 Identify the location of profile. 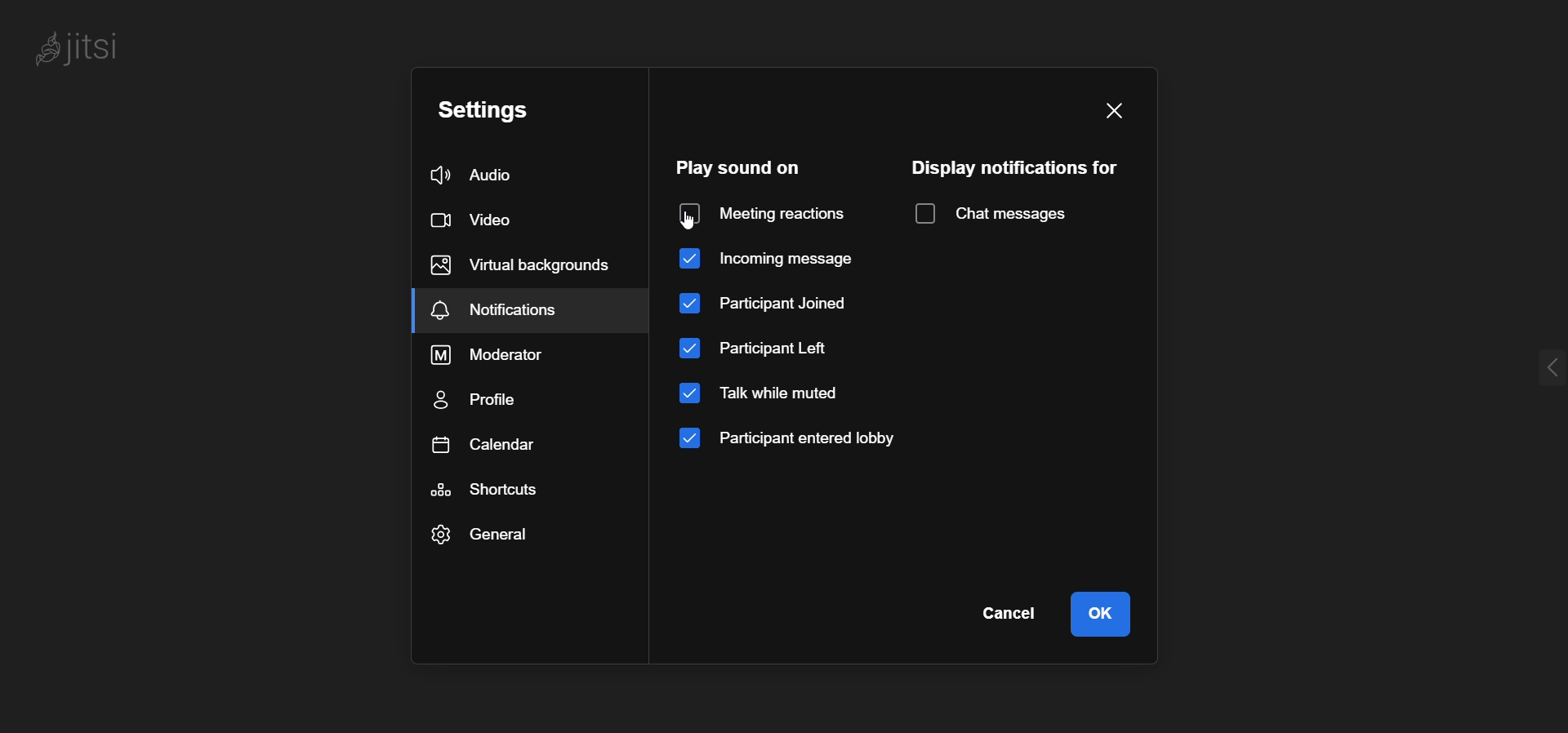
(485, 398).